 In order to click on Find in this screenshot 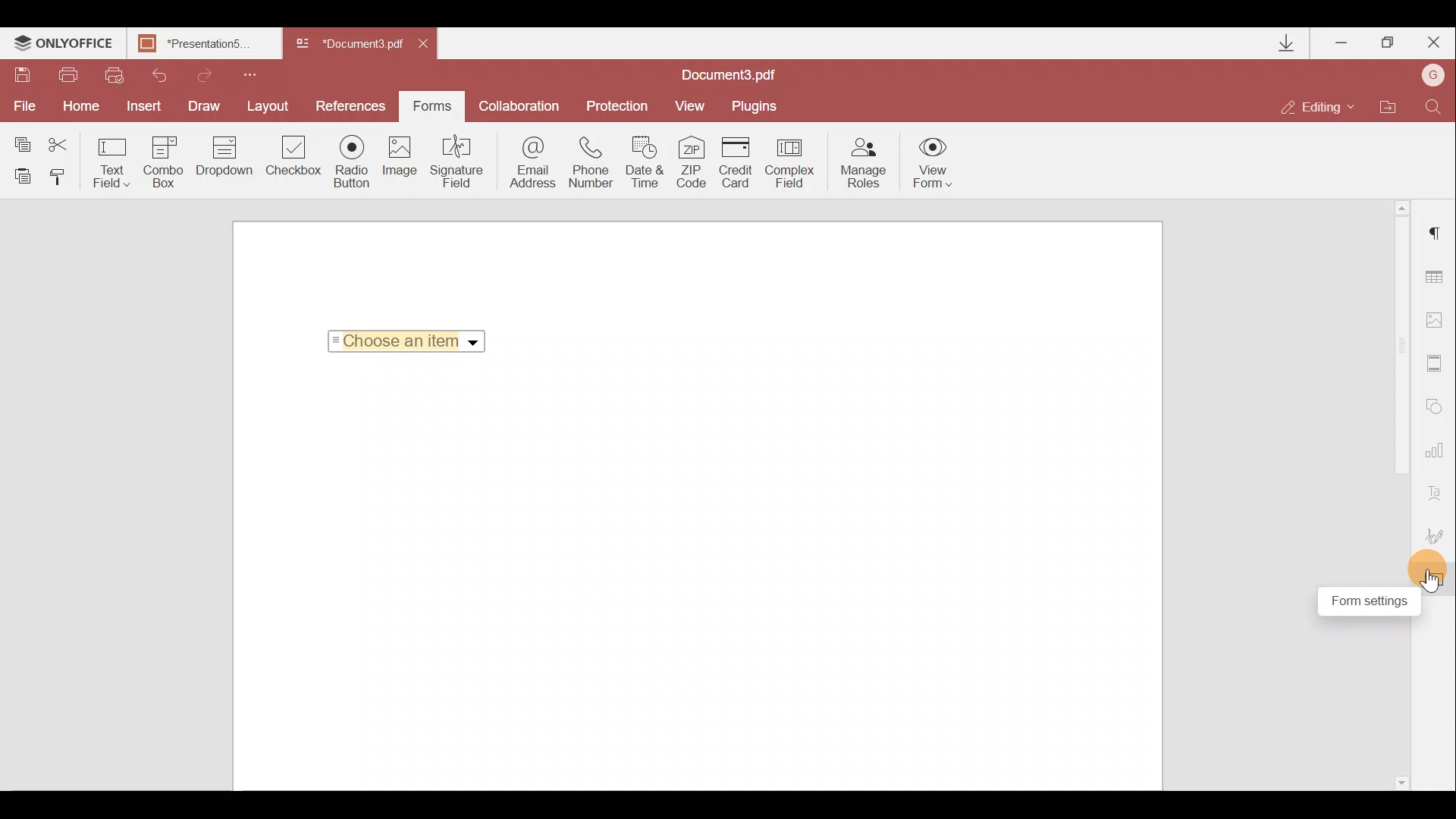, I will do `click(1434, 105)`.